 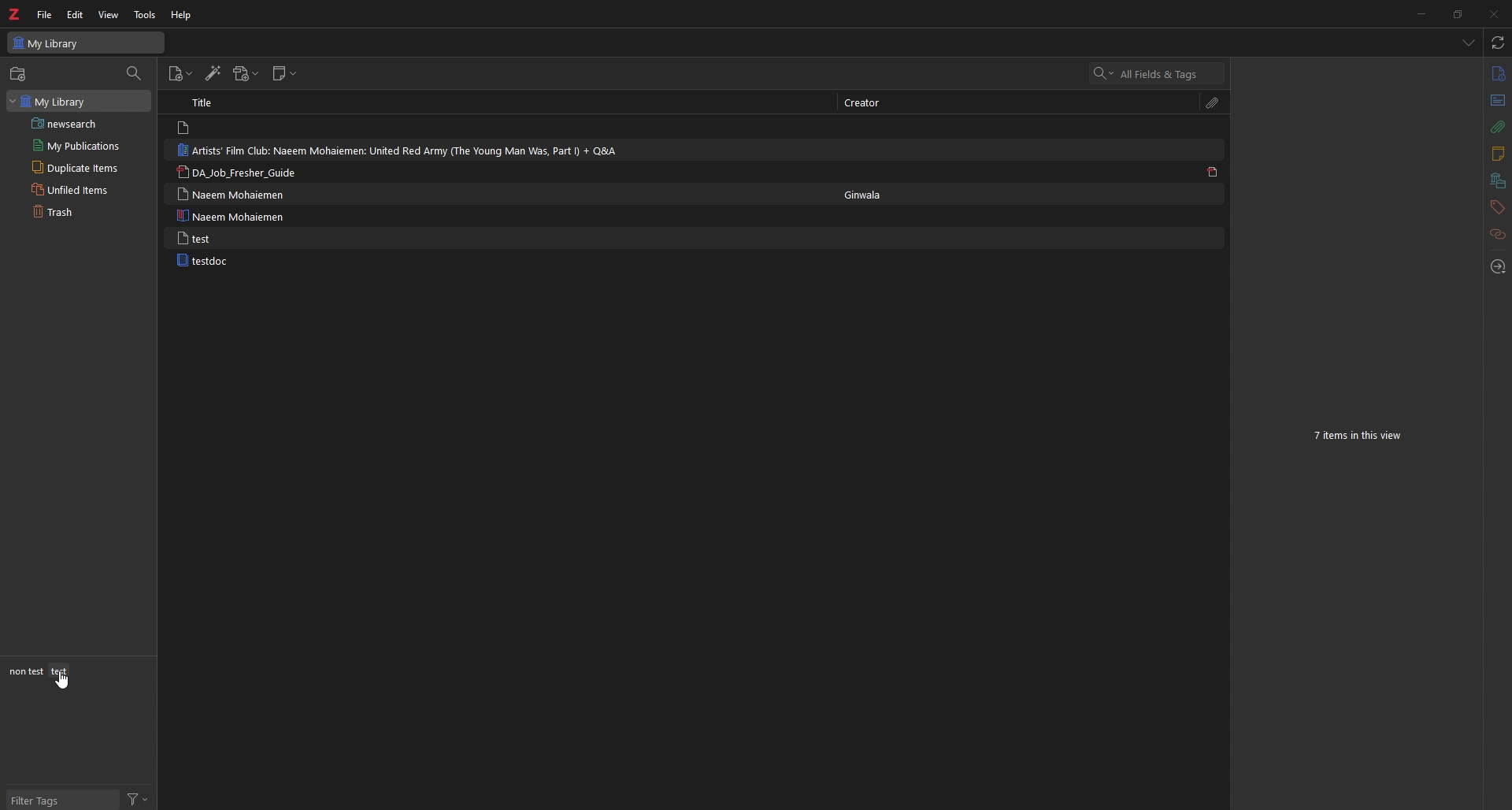 What do you see at coordinates (1421, 13) in the screenshot?
I see `minimize` at bounding box center [1421, 13].